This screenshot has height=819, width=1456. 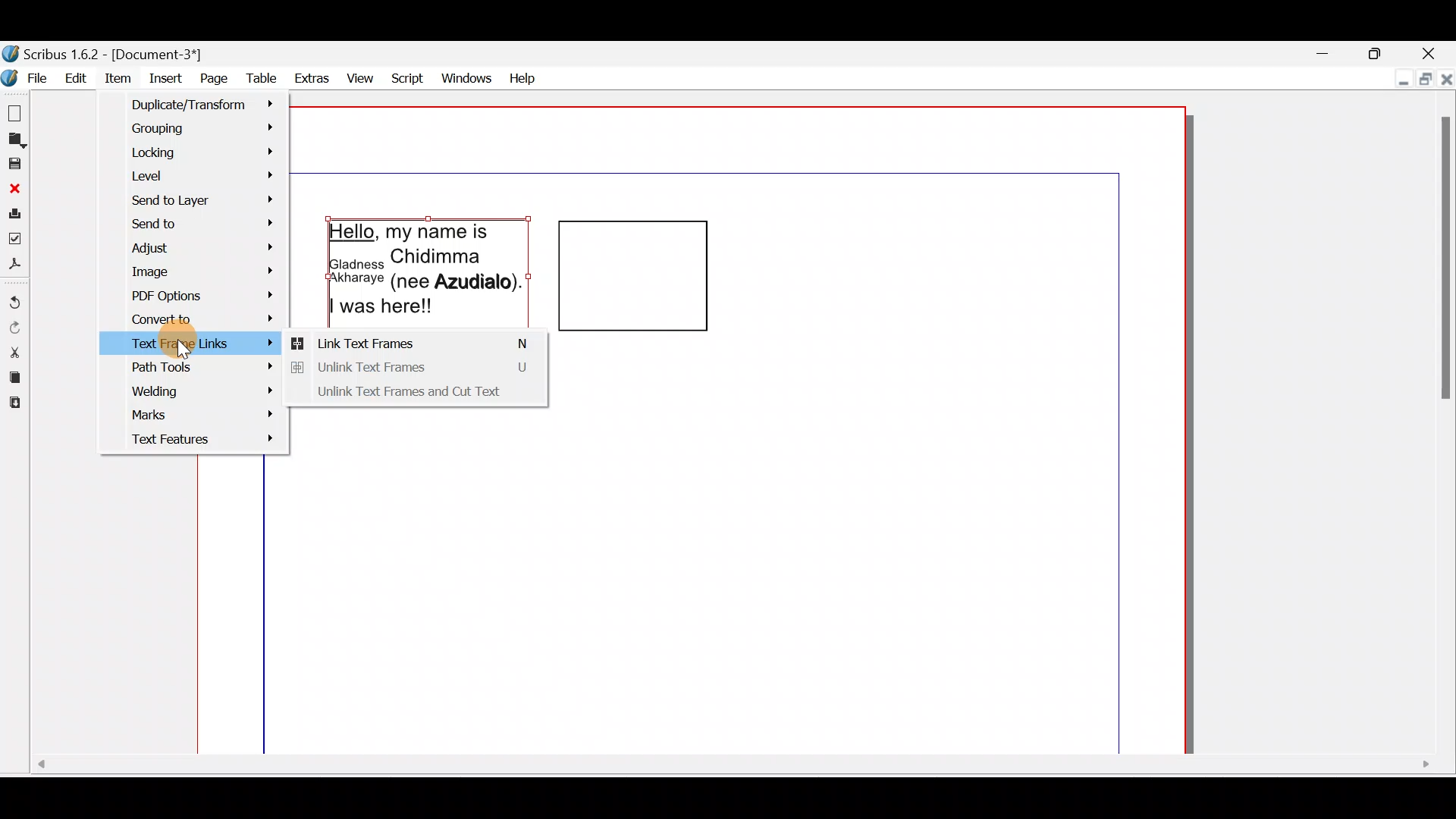 What do you see at coordinates (15, 265) in the screenshot?
I see `Save as PDF` at bounding box center [15, 265].